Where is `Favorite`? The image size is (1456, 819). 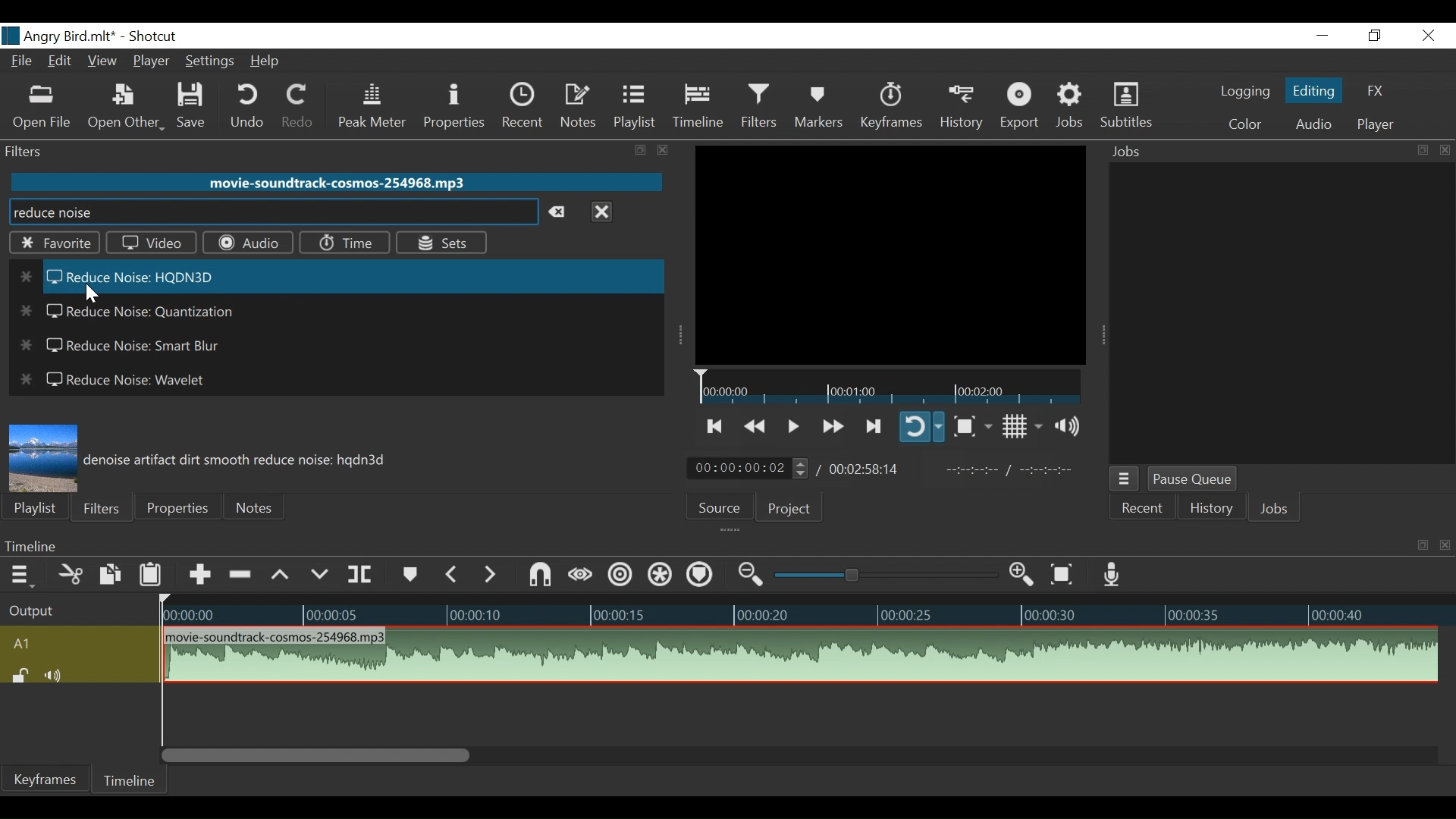 Favorite is located at coordinates (53, 245).